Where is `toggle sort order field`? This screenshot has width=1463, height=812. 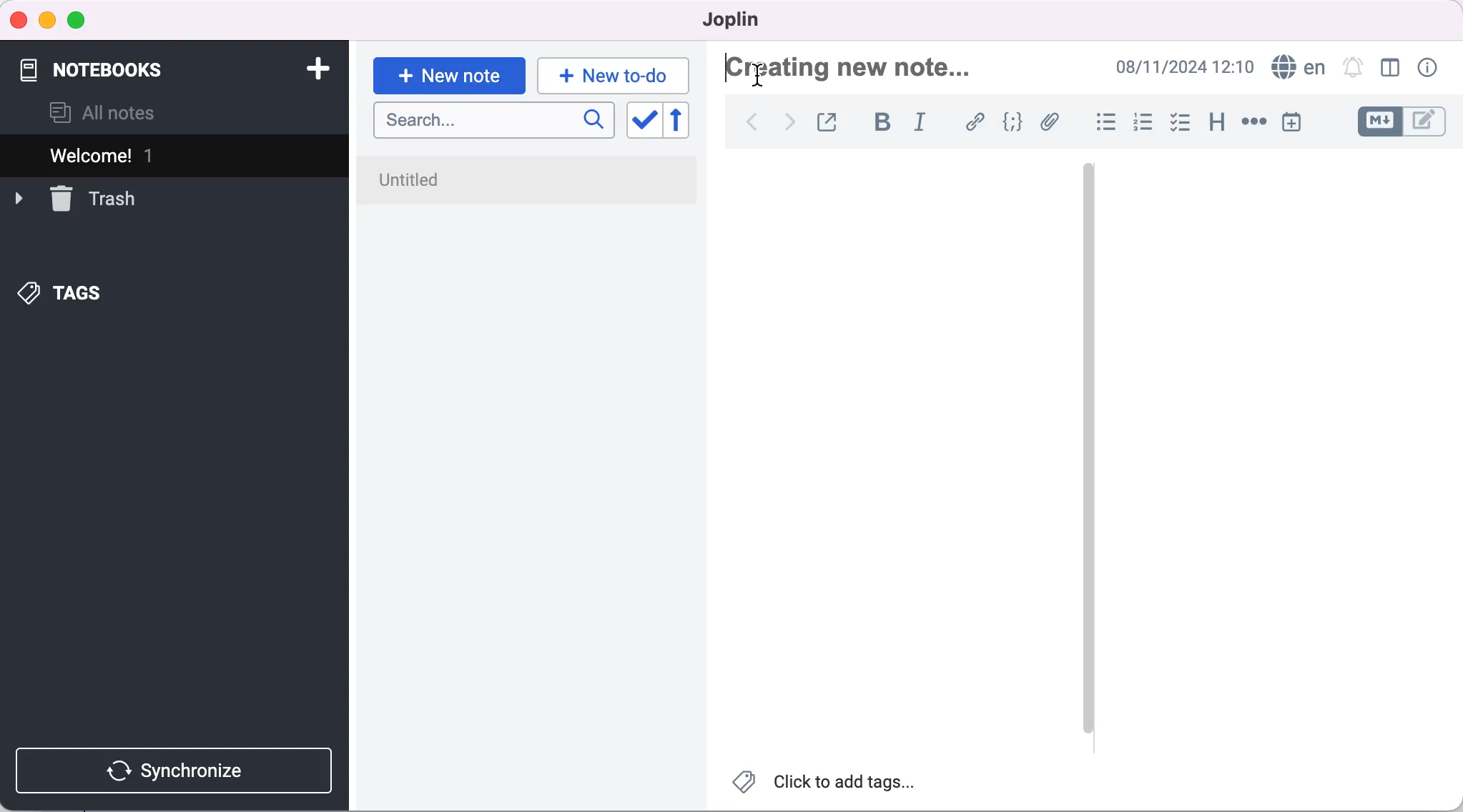 toggle sort order field is located at coordinates (643, 123).